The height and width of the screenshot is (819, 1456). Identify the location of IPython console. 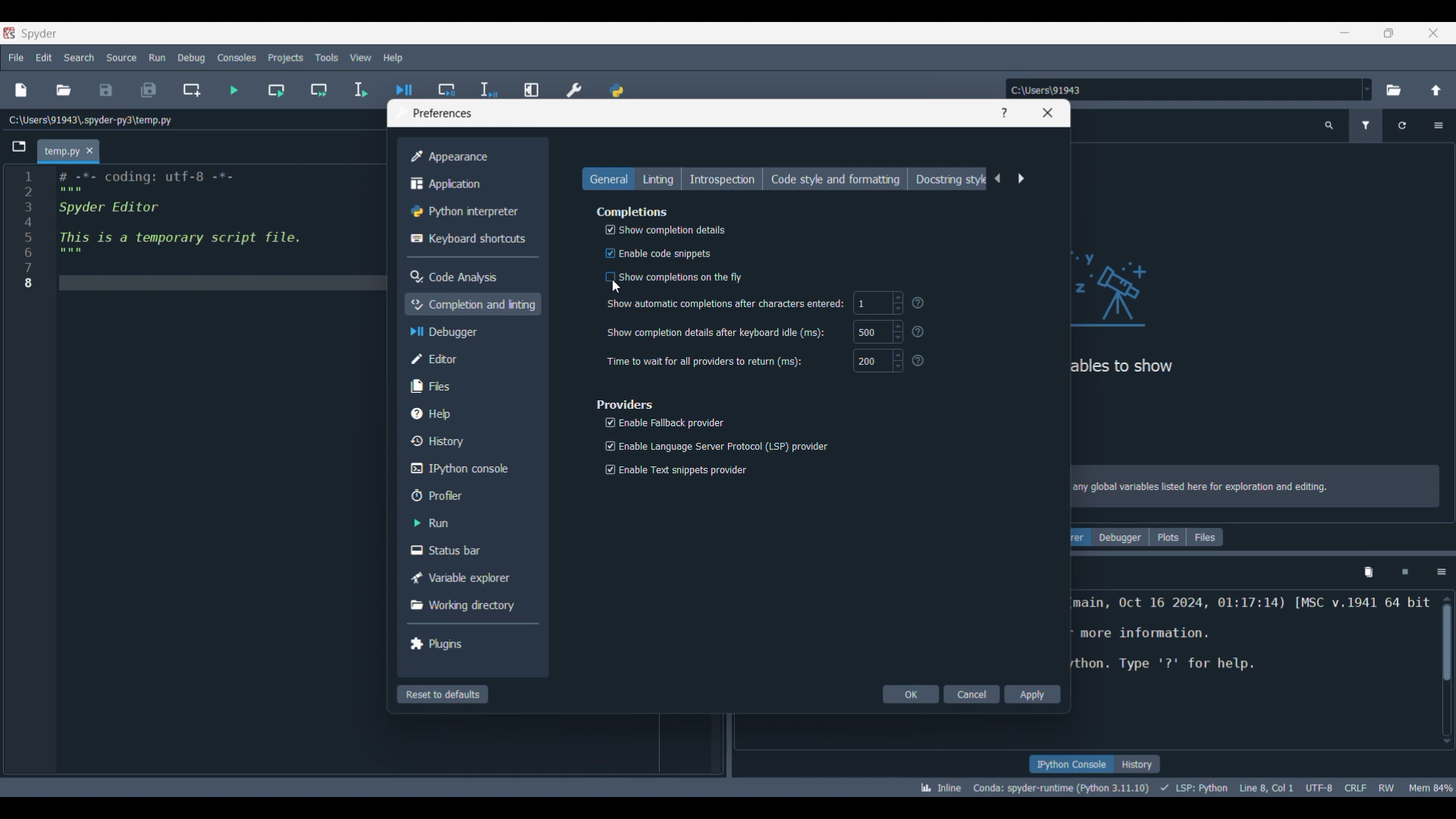
(469, 469).